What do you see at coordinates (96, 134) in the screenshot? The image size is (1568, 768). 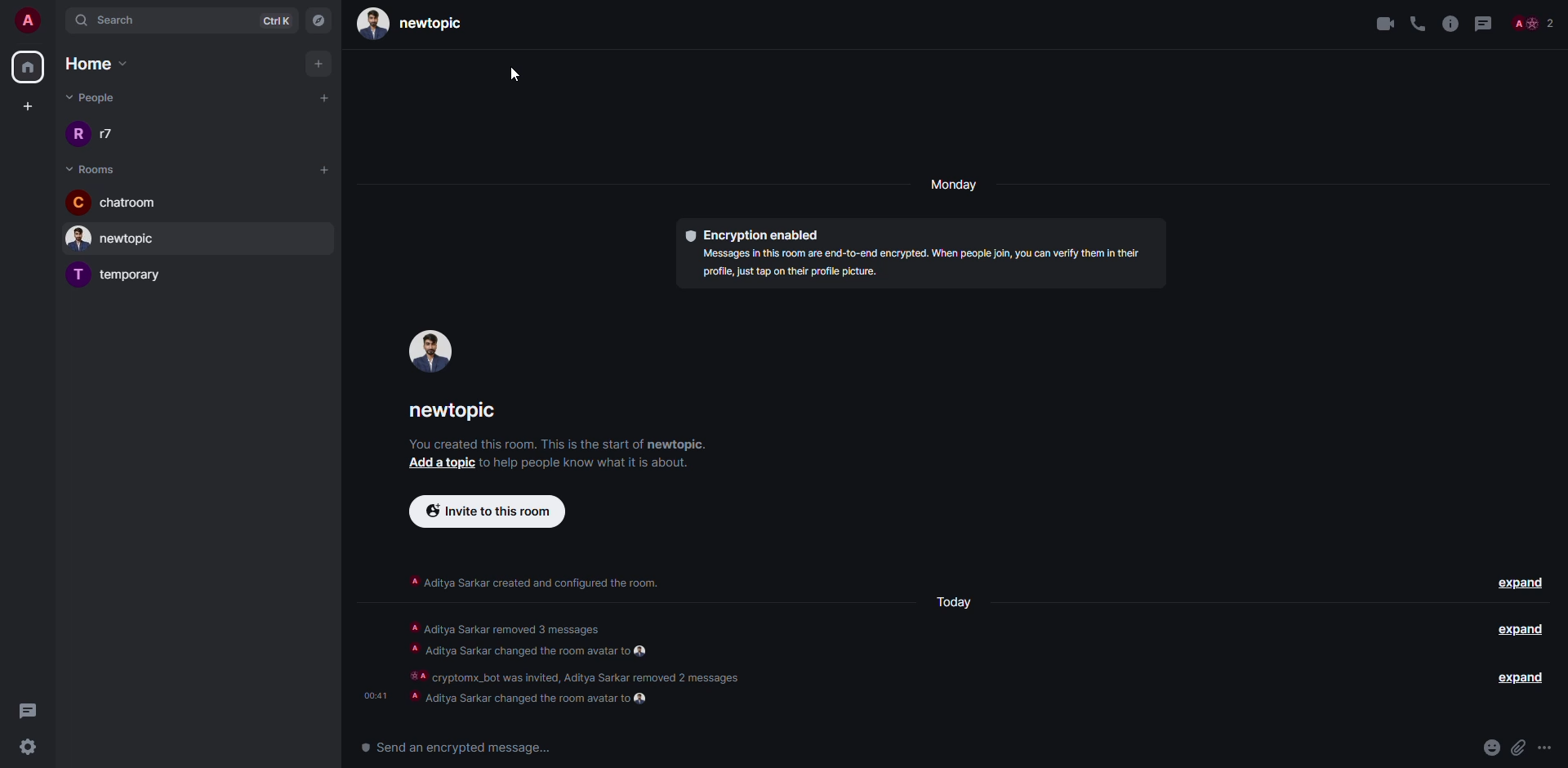 I see `r7` at bounding box center [96, 134].